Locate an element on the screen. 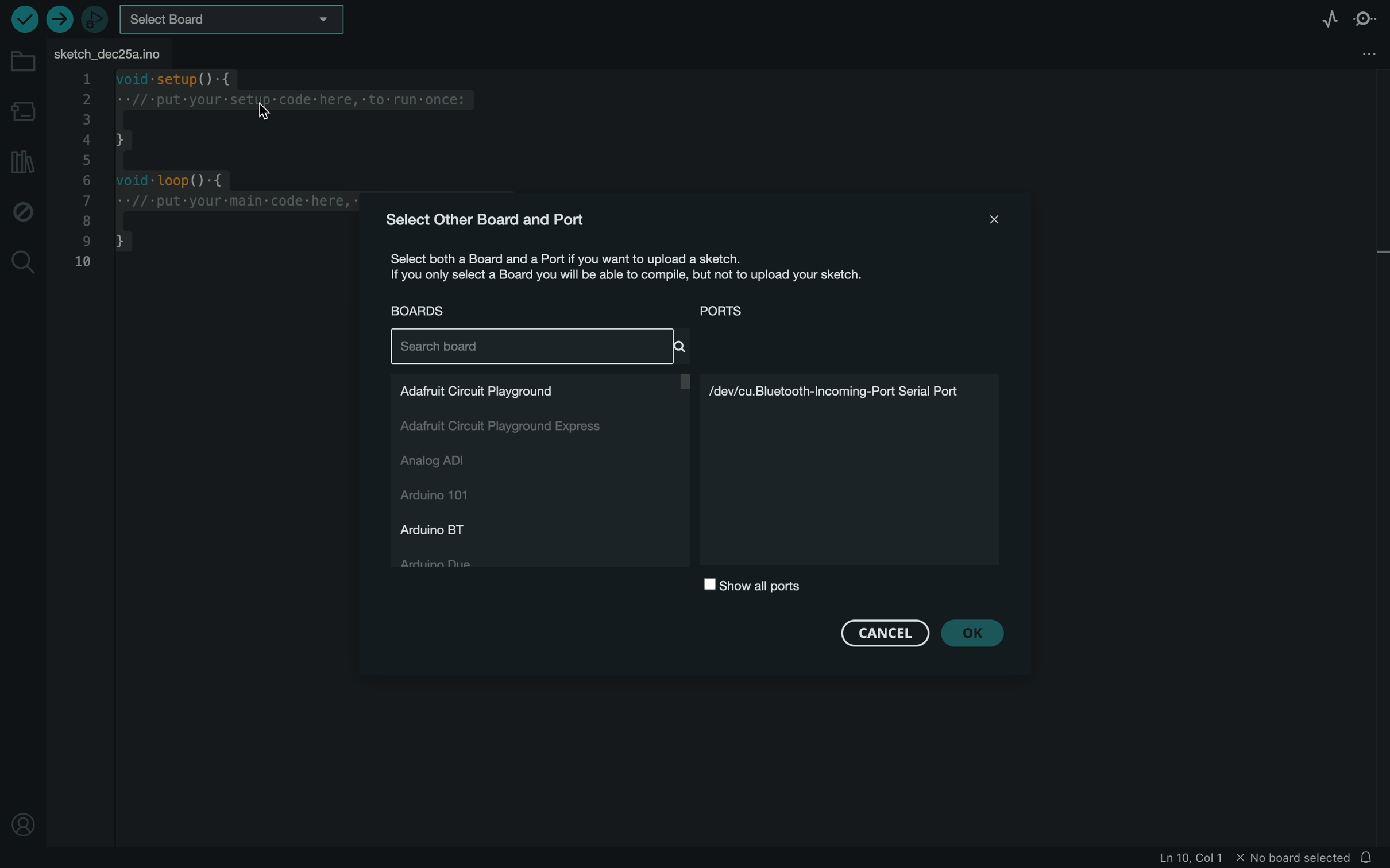 This screenshot has height=868, width=1390. debug is located at coordinates (23, 209).